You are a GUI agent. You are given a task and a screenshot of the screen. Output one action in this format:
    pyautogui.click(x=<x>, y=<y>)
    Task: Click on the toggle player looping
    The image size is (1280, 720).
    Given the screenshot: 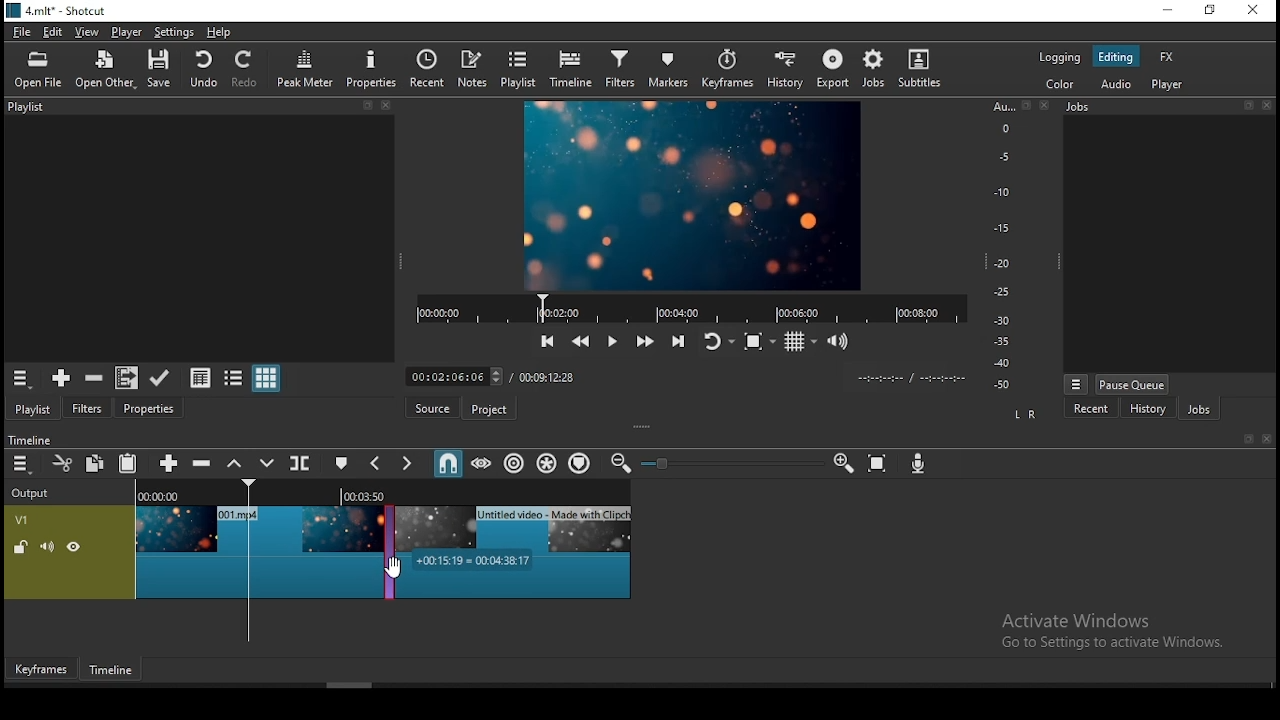 What is the action you would take?
    pyautogui.click(x=717, y=341)
    